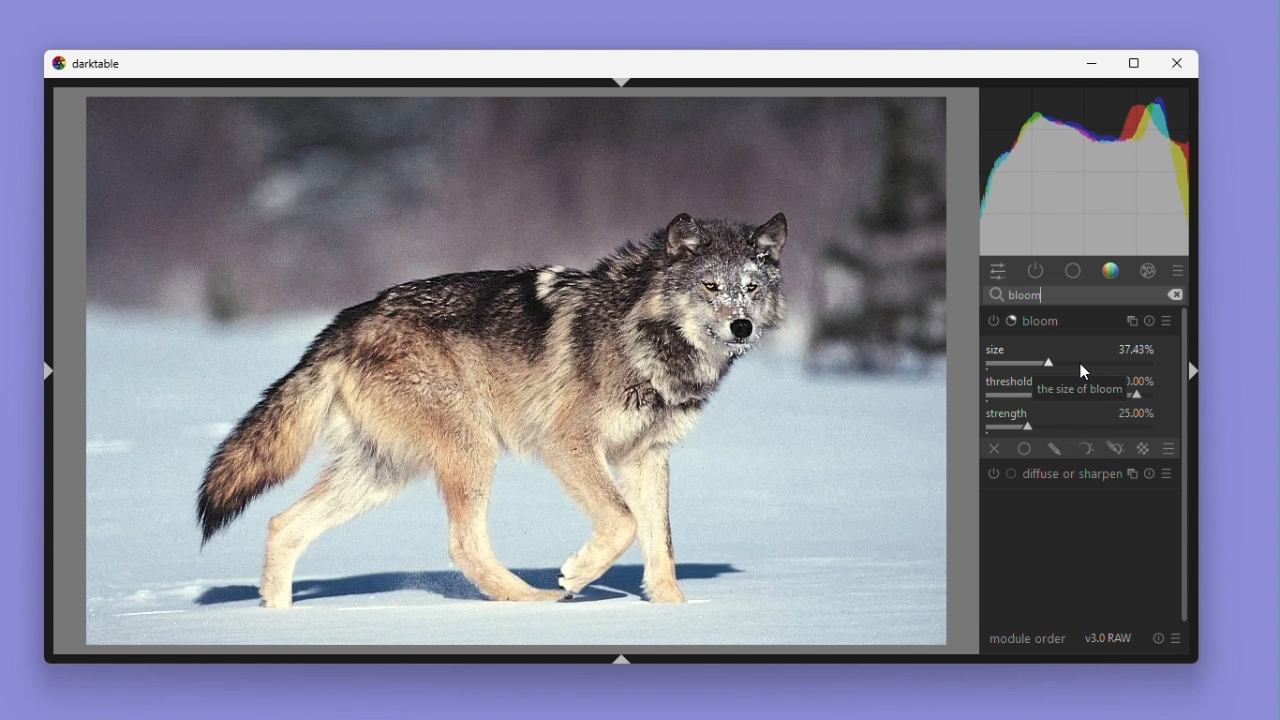 This screenshot has width=1280, height=720. What do you see at coordinates (1108, 638) in the screenshot?
I see `V 3.0 RAW` at bounding box center [1108, 638].